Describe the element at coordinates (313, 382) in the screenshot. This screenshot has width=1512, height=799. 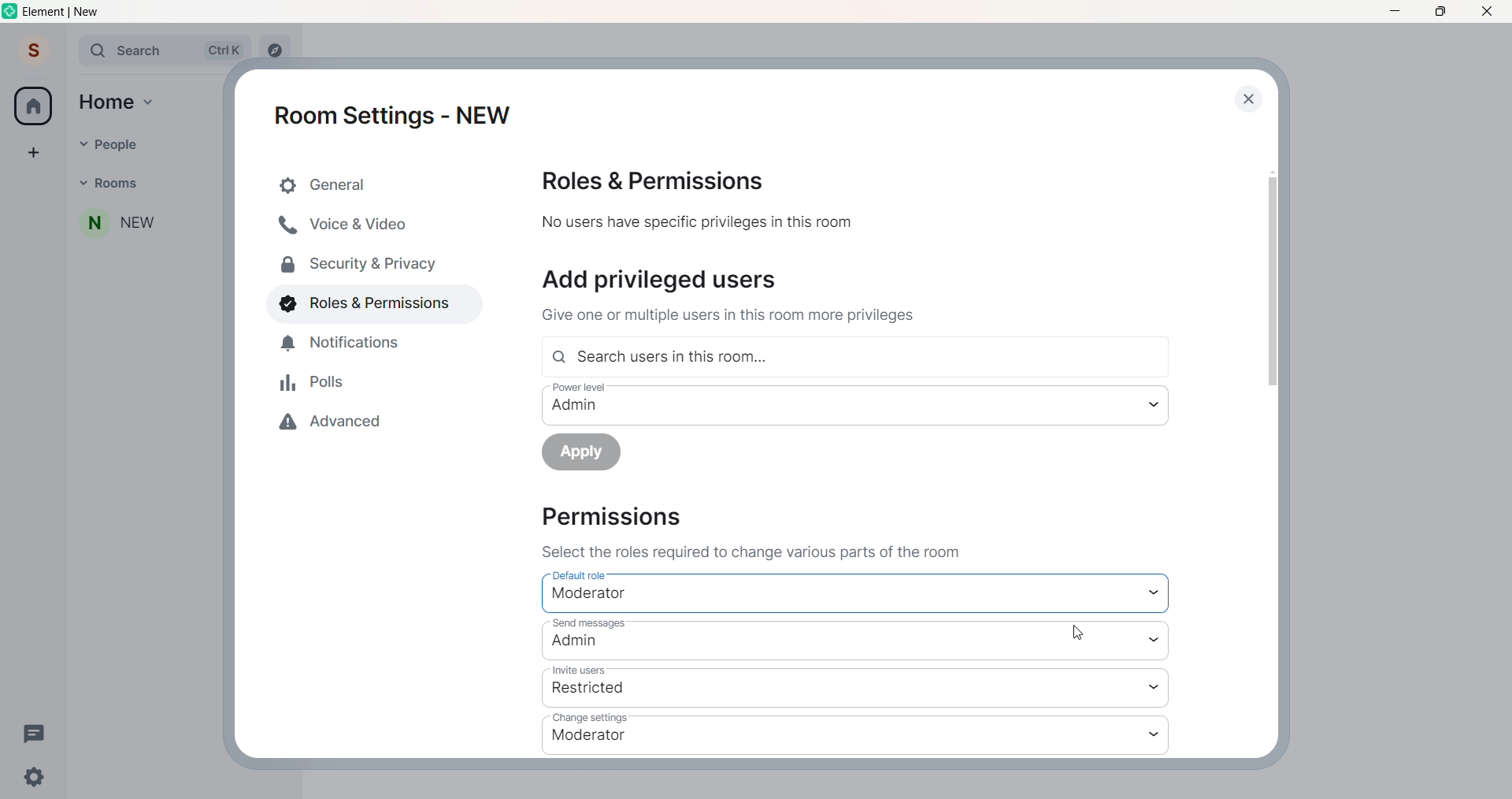
I see `polls` at that location.